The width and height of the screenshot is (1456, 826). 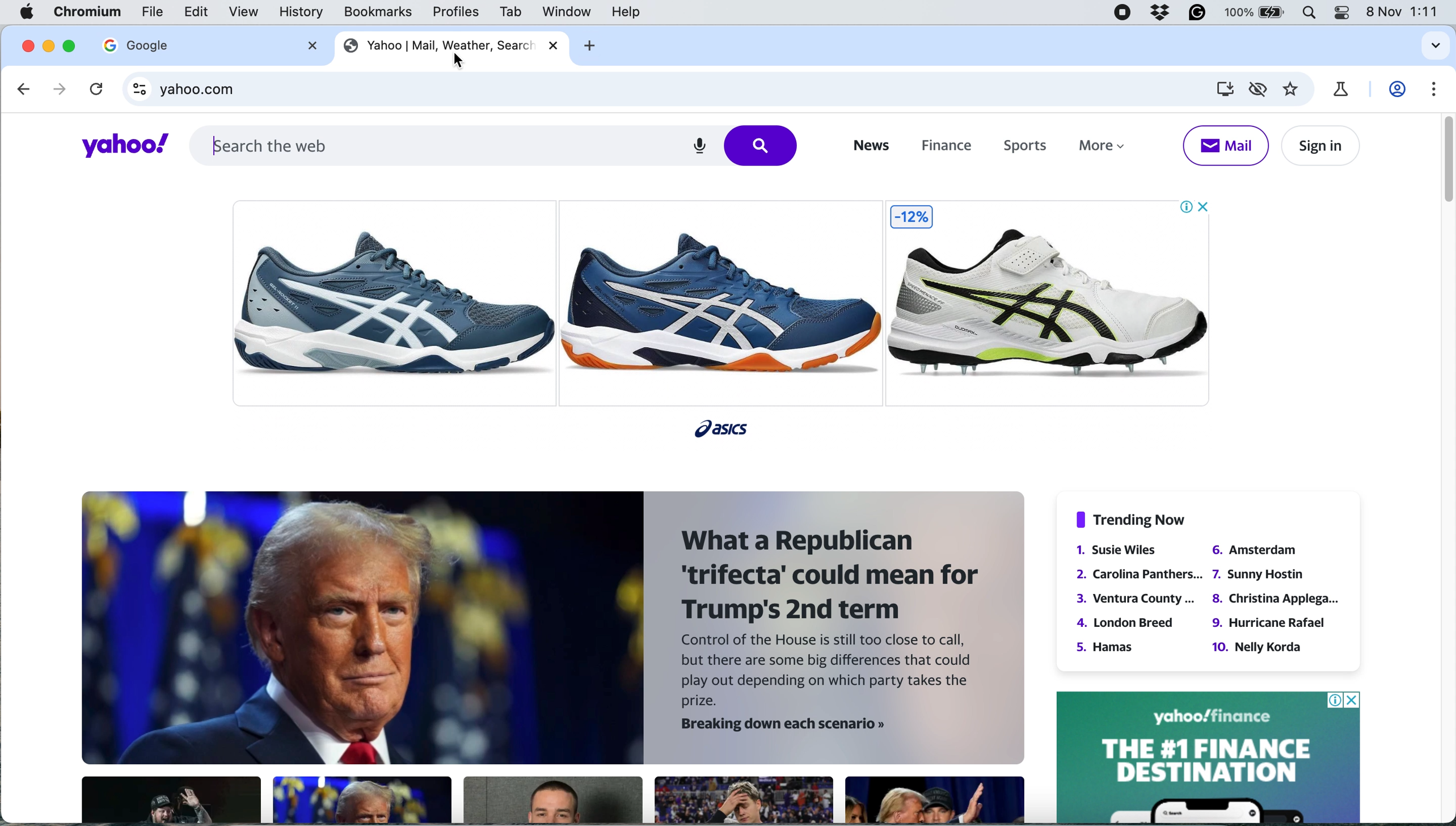 What do you see at coordinates (944, 147) in the screenshot?
I see `finance` at bounding box center [944, 147].